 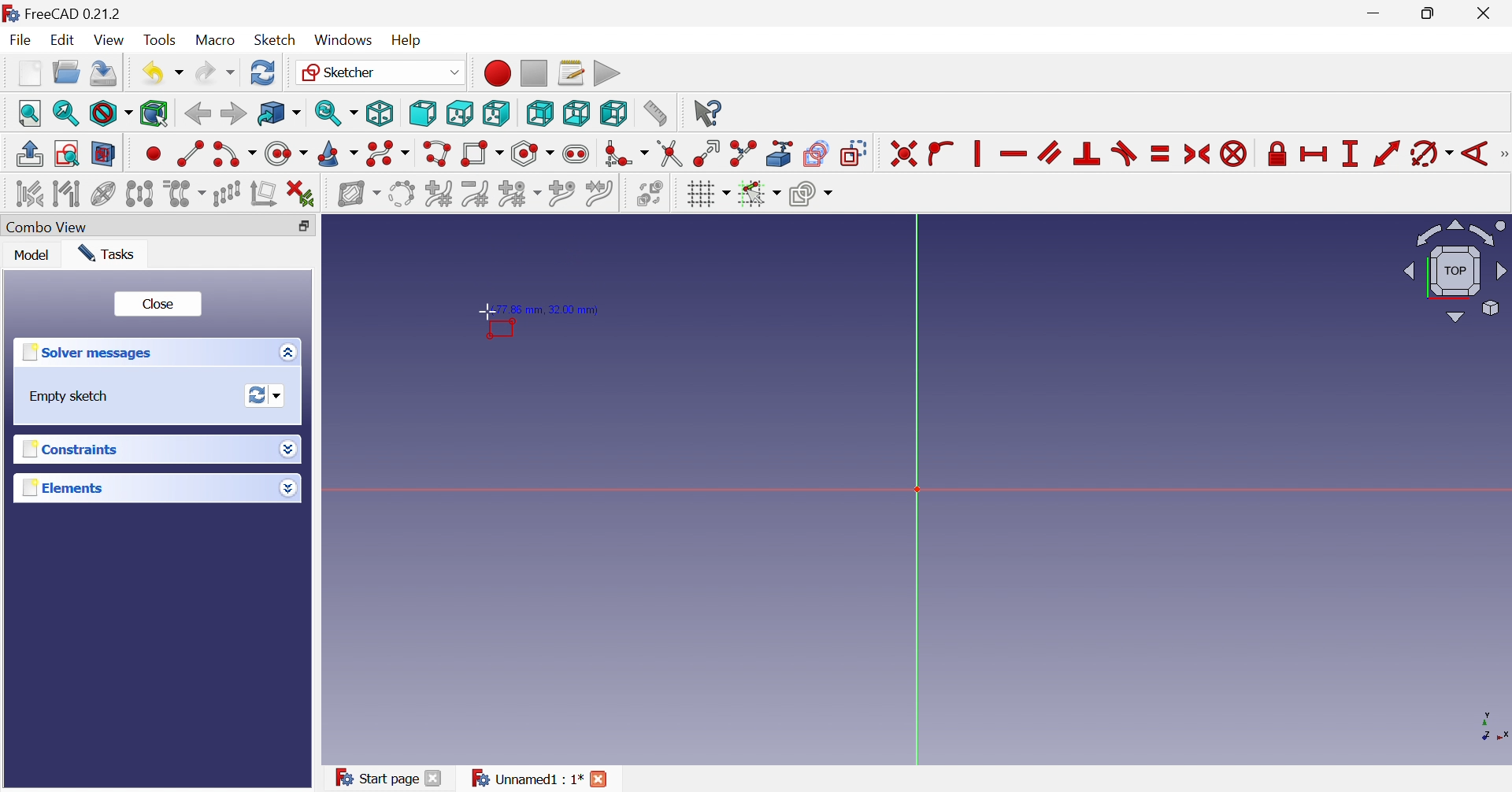 What do you see at coordinates (940, 151) in the screenshot?
I see `Constrain point onto object` at bounding box center [940, 151].